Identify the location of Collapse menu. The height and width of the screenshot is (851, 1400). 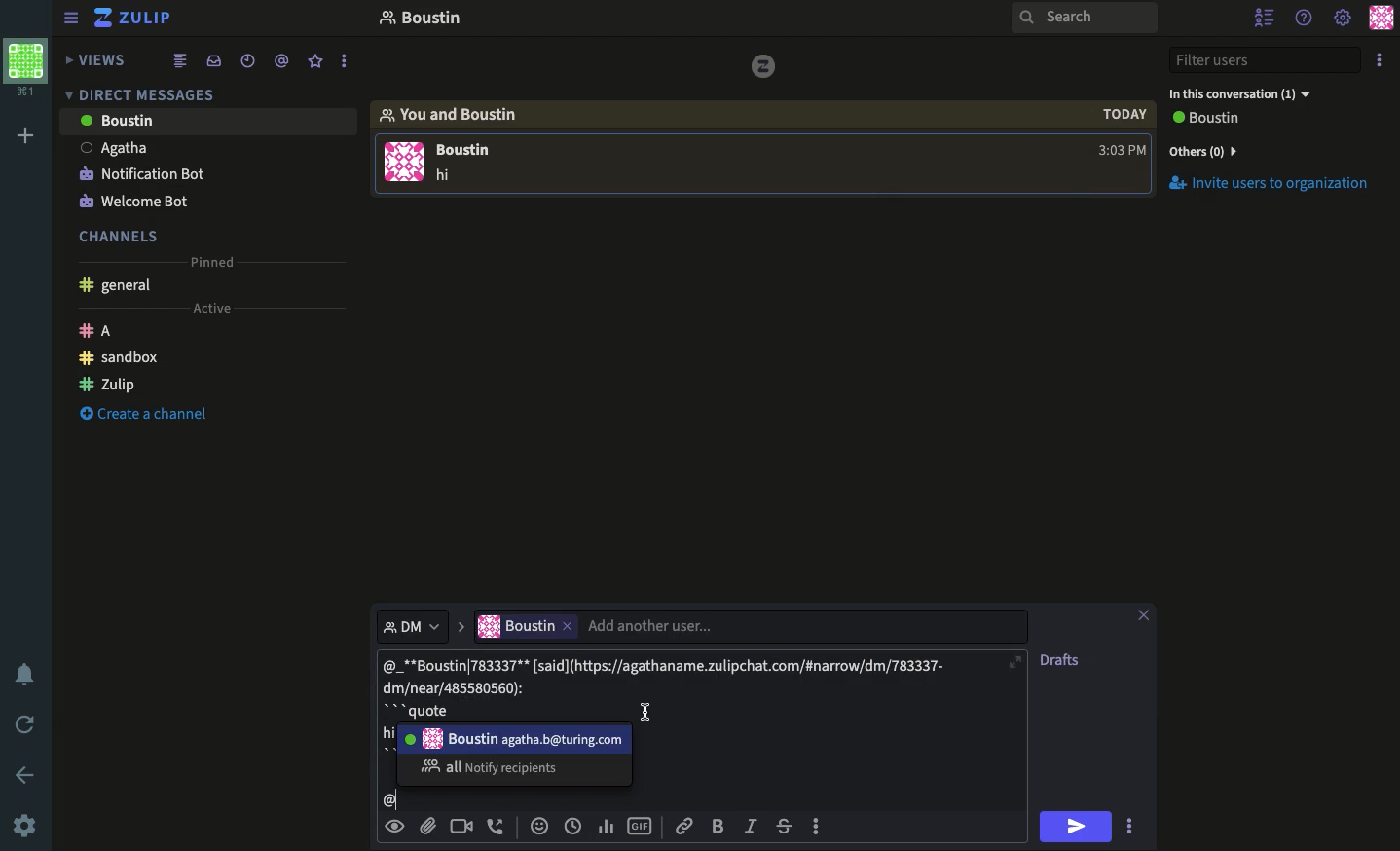
(73, 19).